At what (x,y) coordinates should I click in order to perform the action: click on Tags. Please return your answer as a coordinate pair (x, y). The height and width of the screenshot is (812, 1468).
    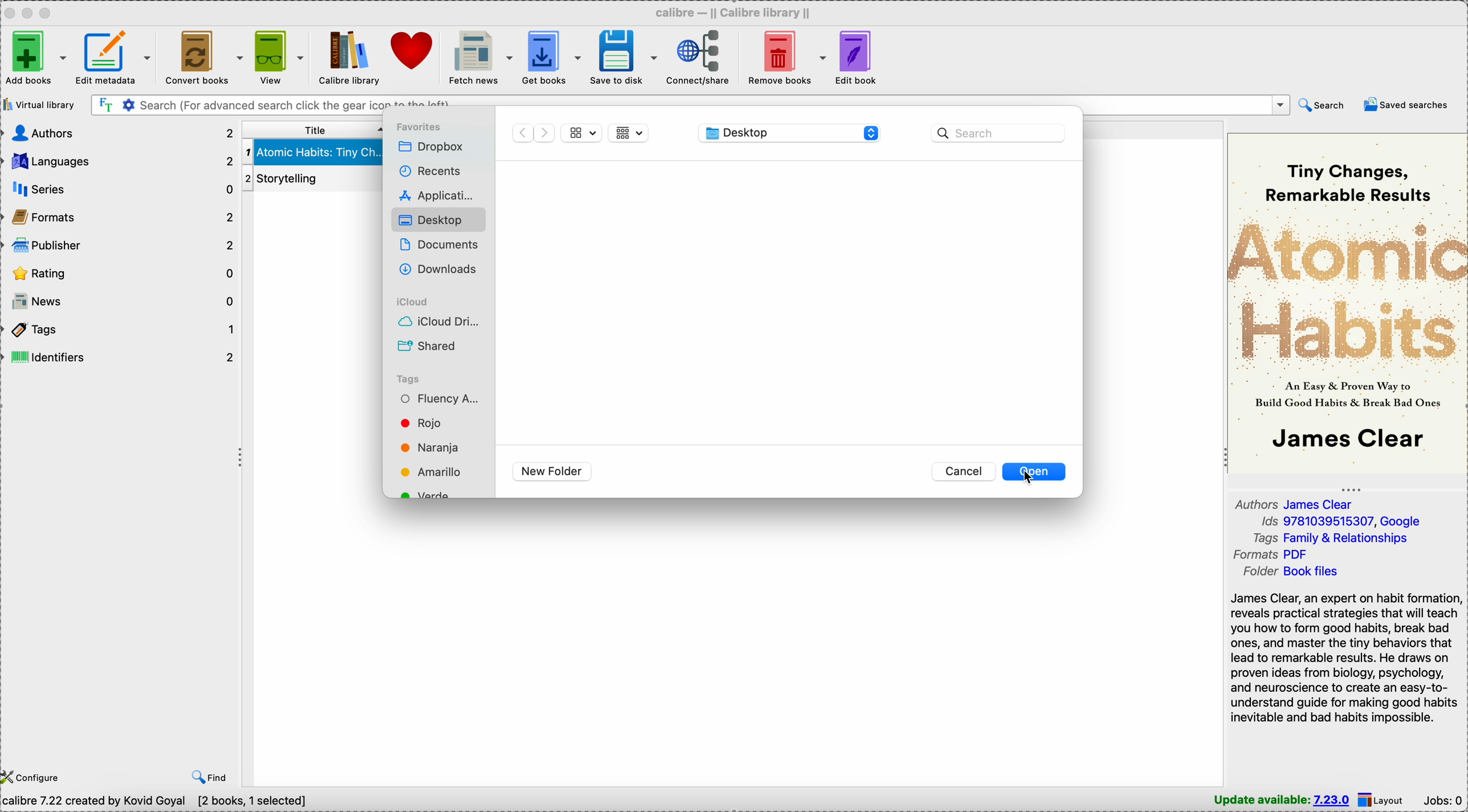
    Looking at the image, I should click on (408, 379).